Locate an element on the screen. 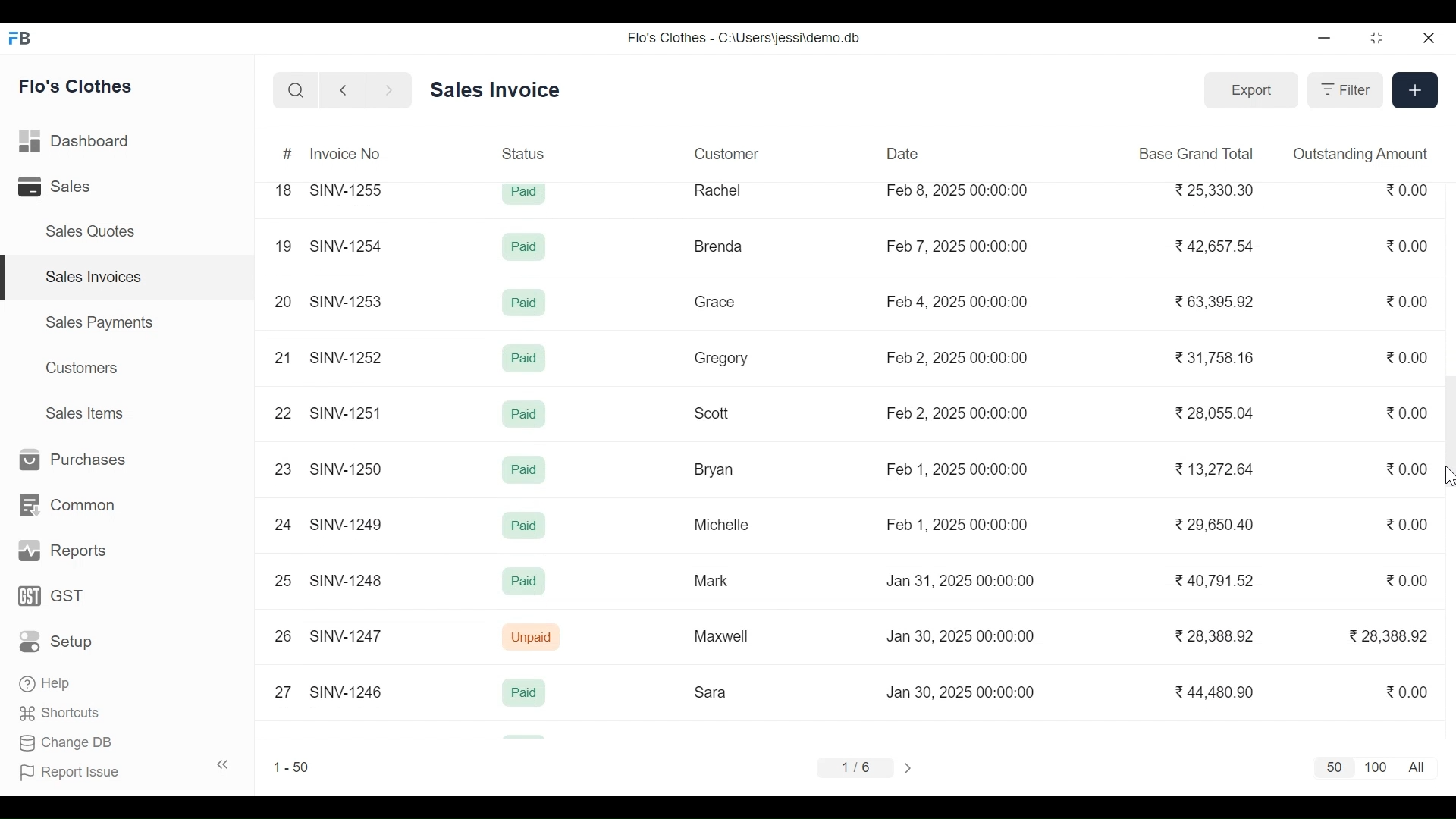 Image resolution: width=1456 pixels, height=819 pixels. Paid is located at coordinates (523, 470).